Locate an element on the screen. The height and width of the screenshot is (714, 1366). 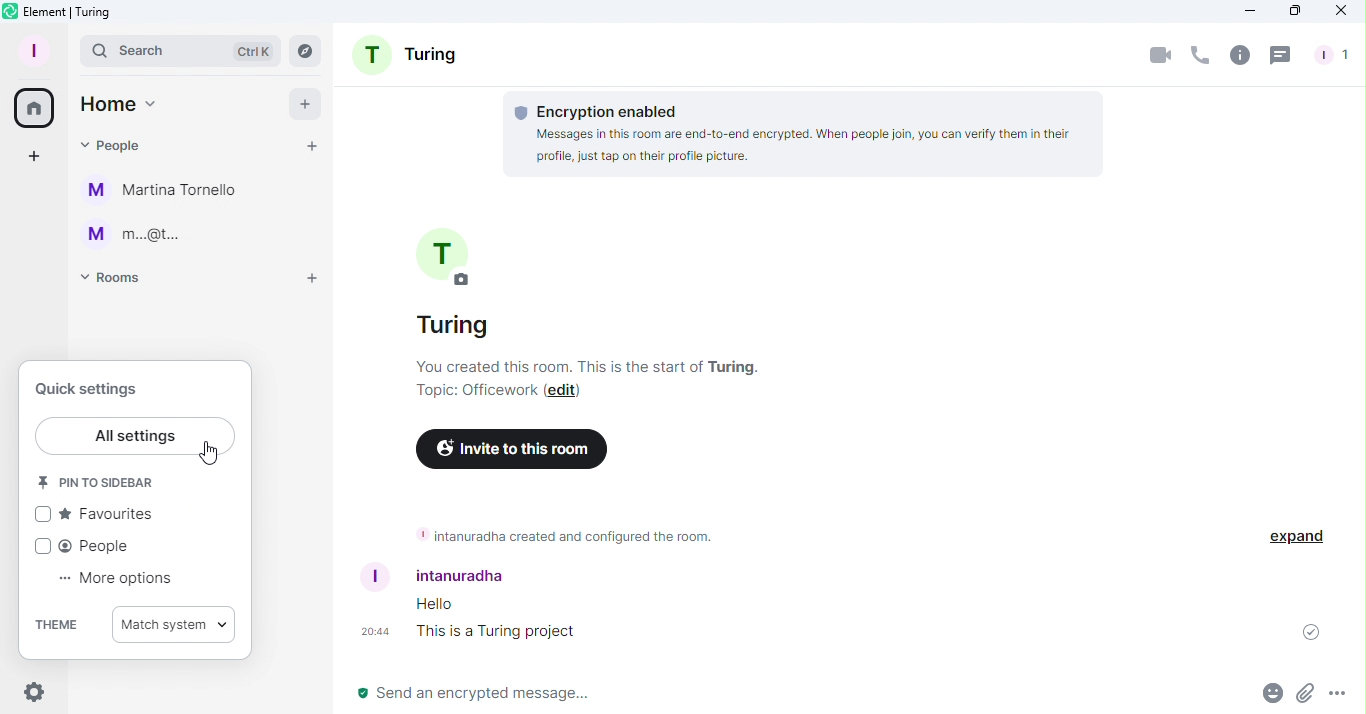
icon is located at coordinates (44, 481).